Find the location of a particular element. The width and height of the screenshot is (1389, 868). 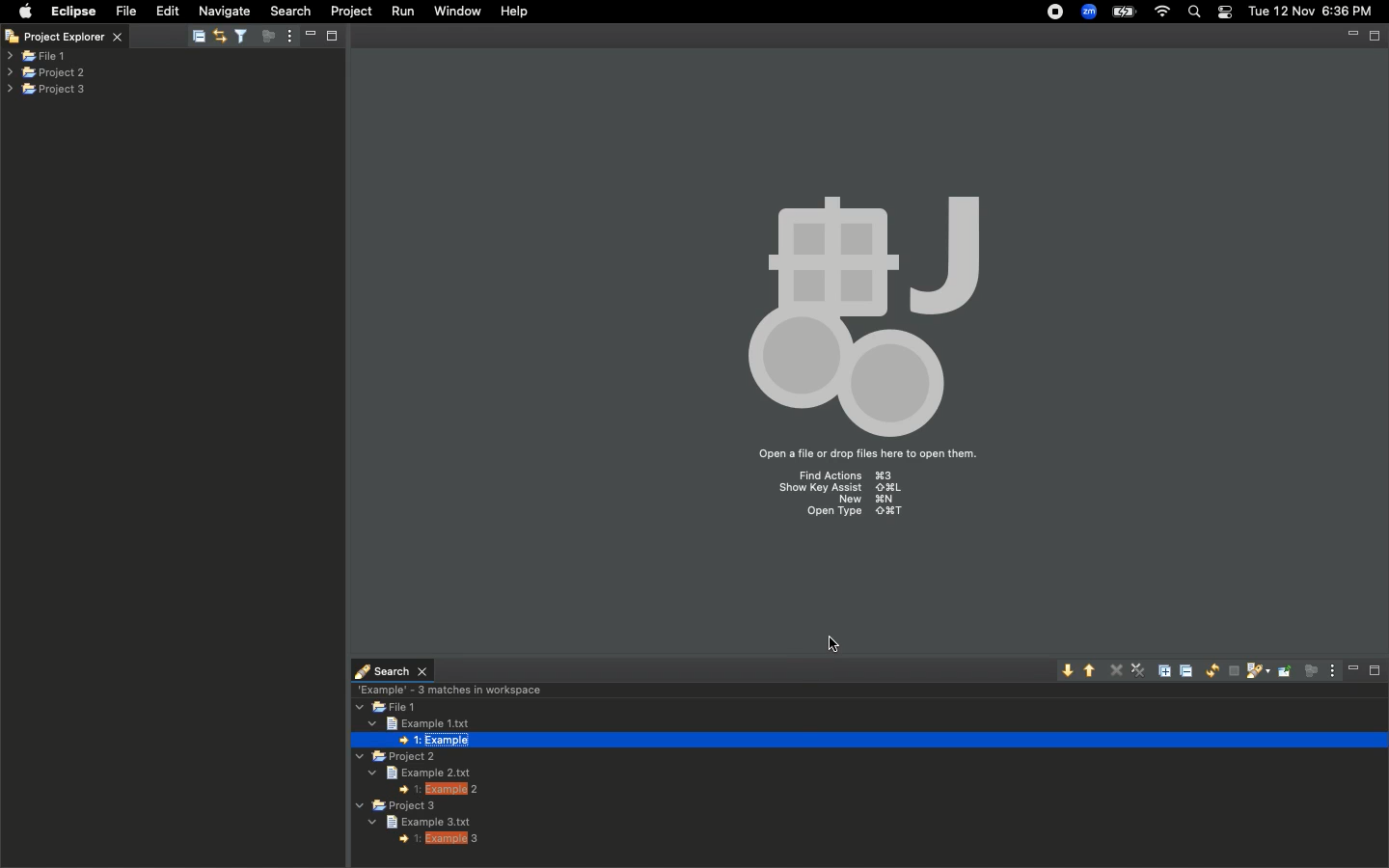

search is located at coordinates (392, 666).